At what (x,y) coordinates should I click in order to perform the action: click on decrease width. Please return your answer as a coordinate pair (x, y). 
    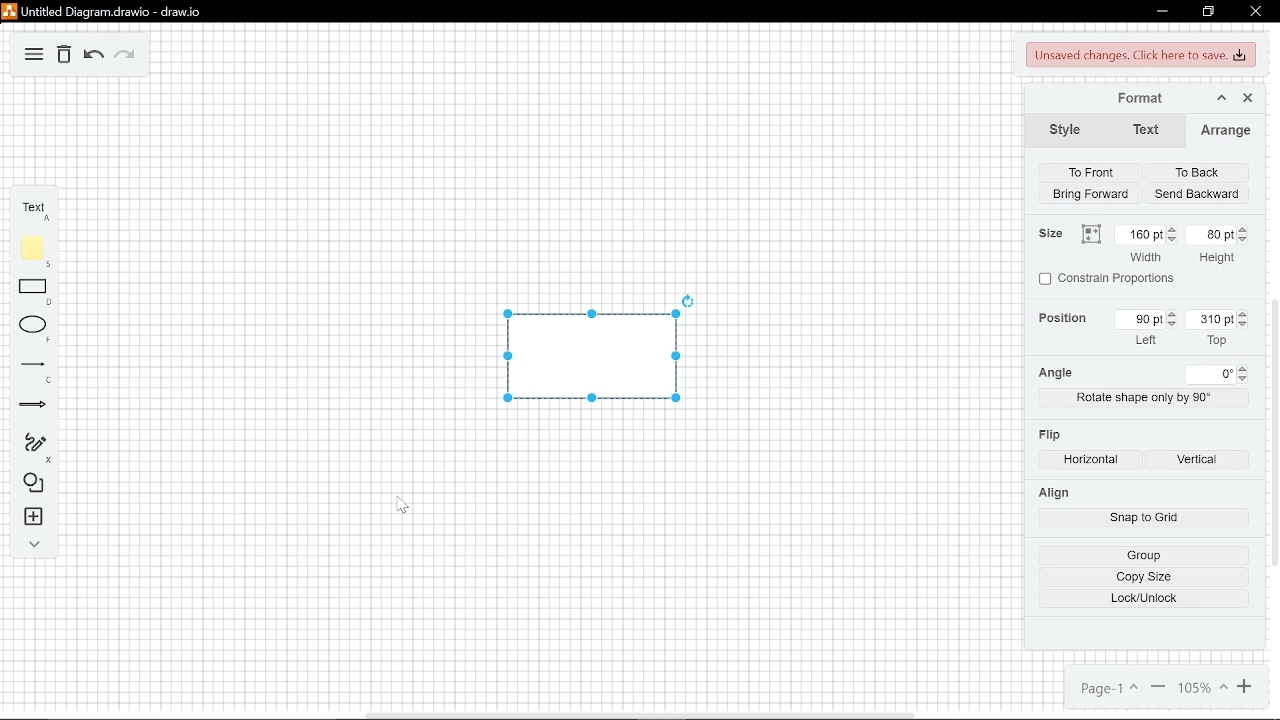
    Looking at the image, I should click on (1173, 240).